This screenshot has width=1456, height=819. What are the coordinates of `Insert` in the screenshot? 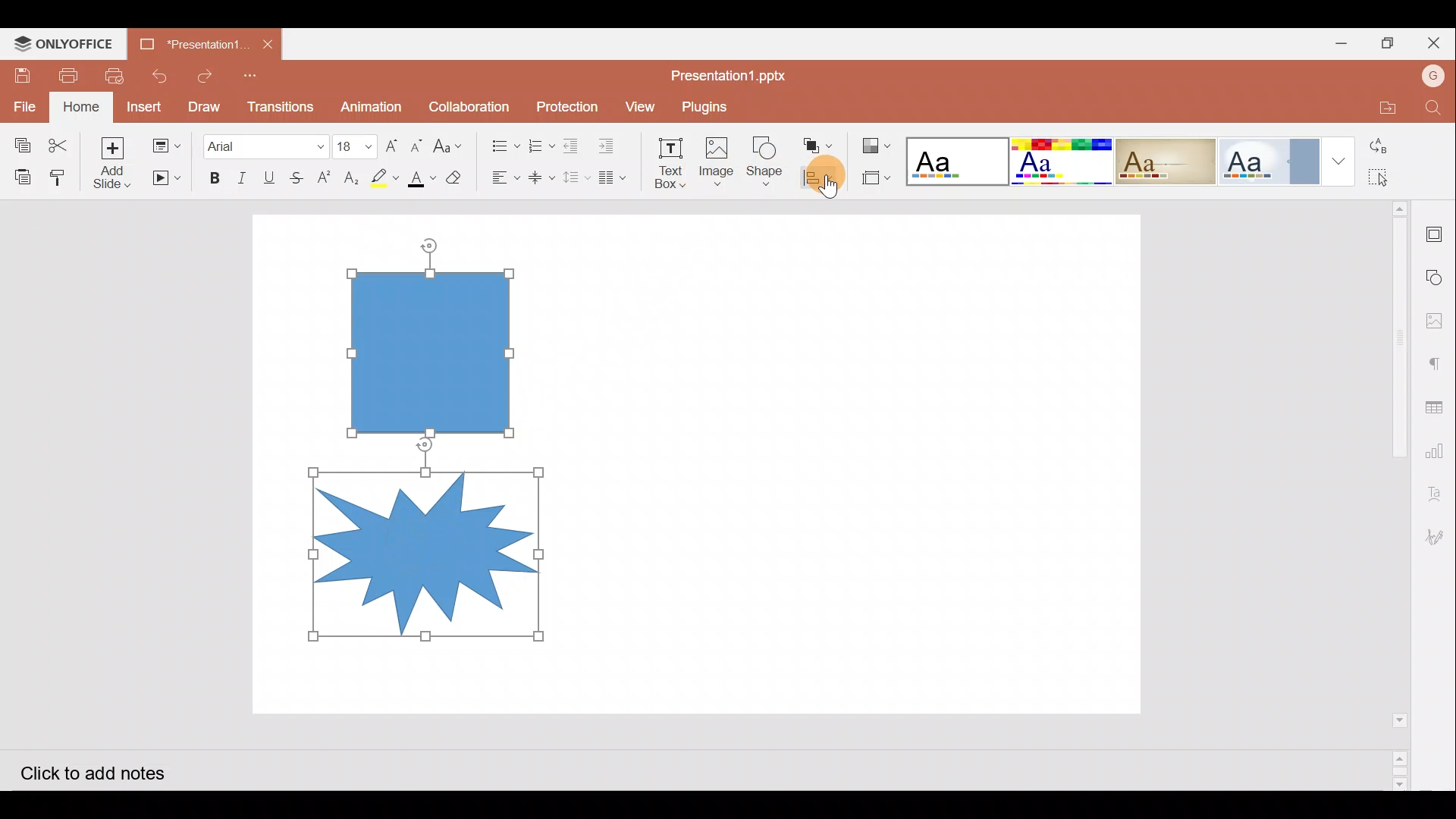 It's located at (146, 105).